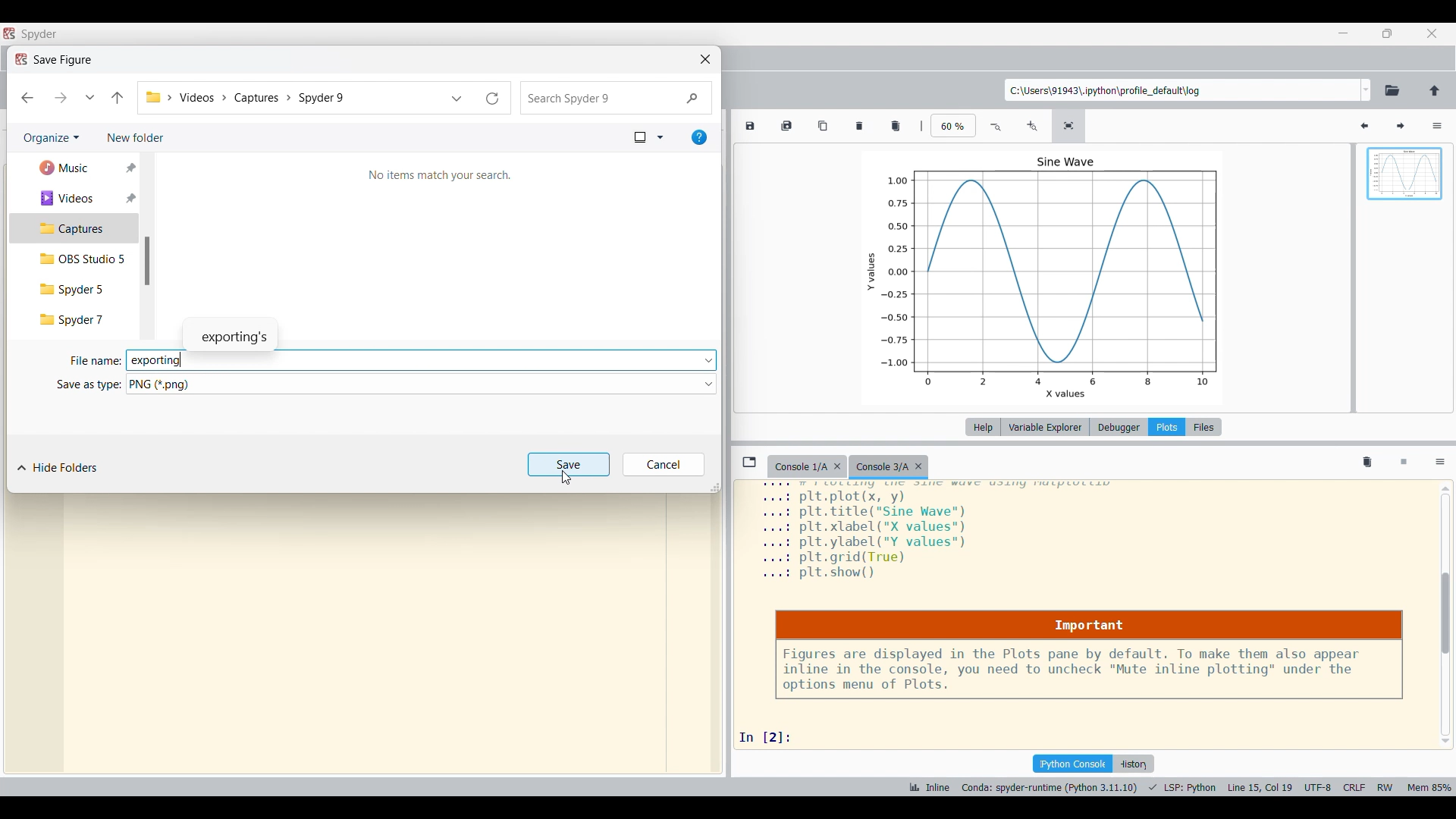 The height and width of the screenshot is (819, 1456). I want to click on Format options, so click(421, 384).